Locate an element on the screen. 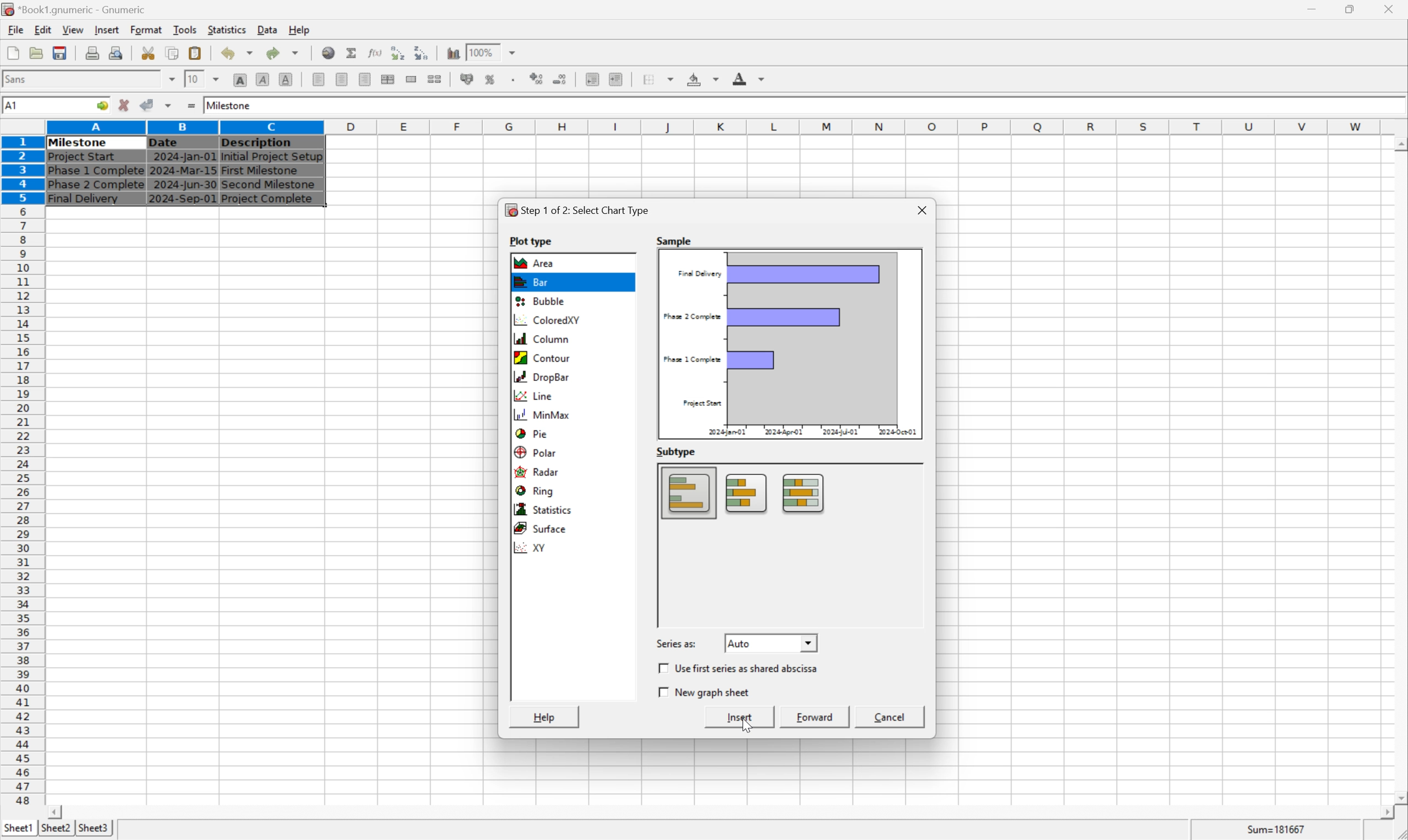 This screenshot has height=840, width=1408. align left is located at coordinates (319, 80).